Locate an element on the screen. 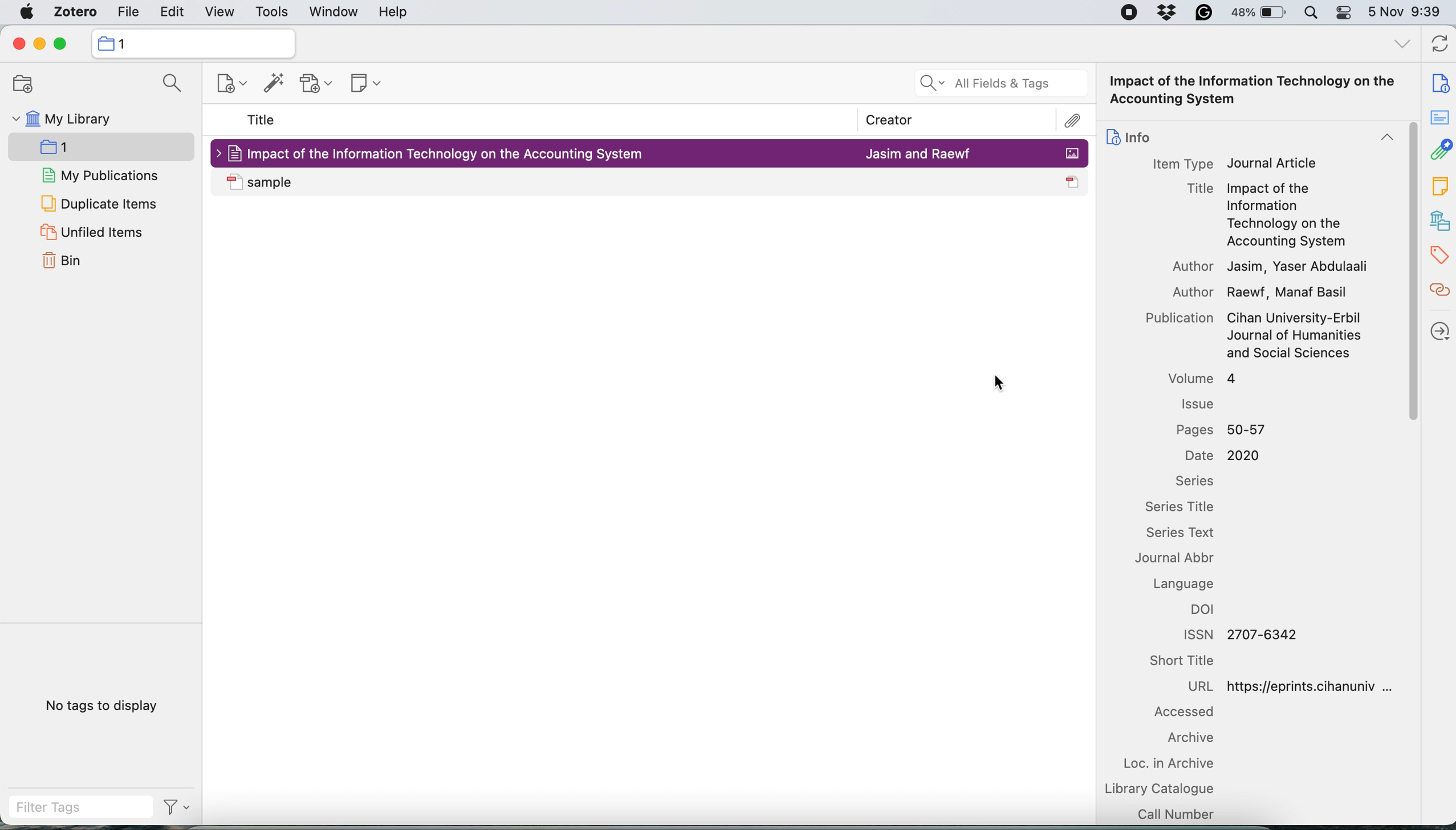 Image resolution: width=1456 pixels, height=830 pixels. unfiled items is located at coordinates (100, 233).